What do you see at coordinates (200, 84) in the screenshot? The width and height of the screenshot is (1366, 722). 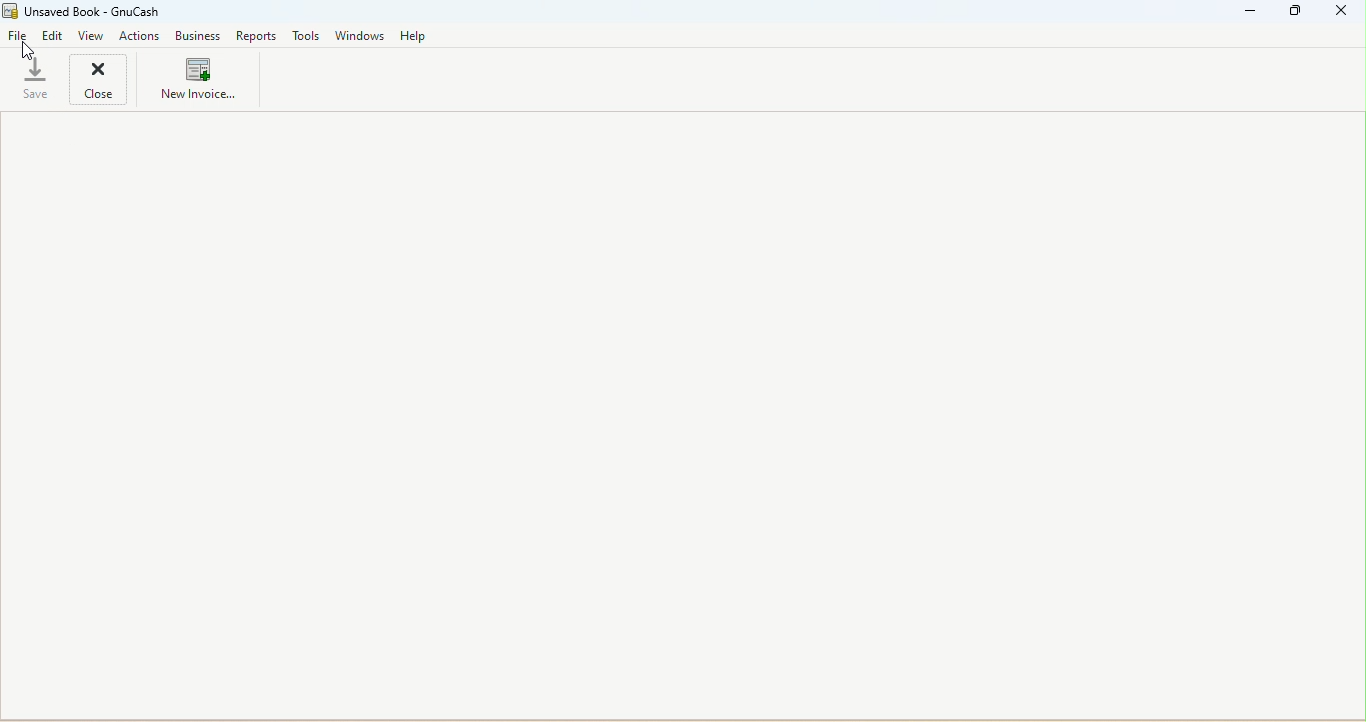 I see `New invoices` at bounding box center [200, 84].